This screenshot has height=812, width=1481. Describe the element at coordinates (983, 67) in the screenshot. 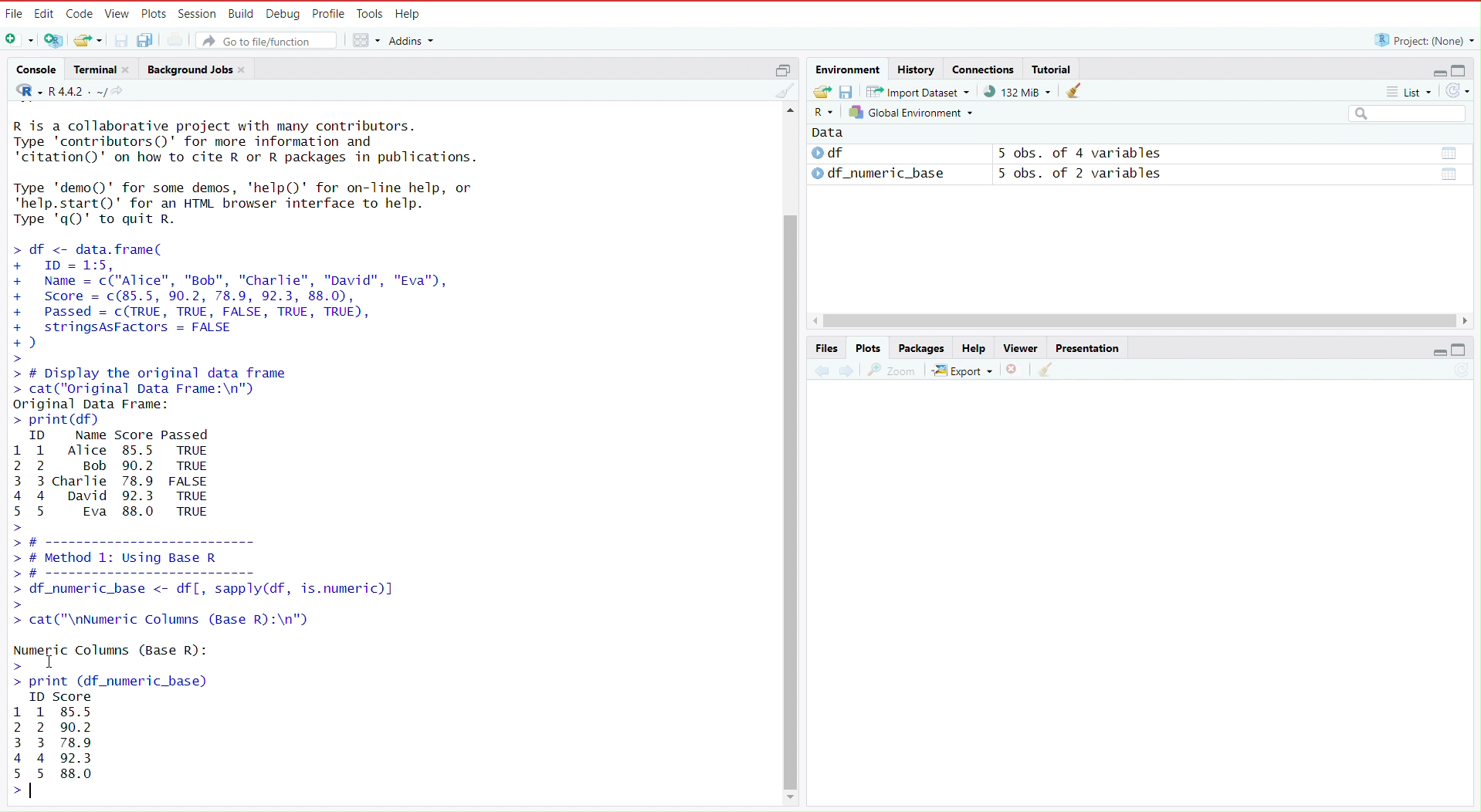

I see `connections` at that location.